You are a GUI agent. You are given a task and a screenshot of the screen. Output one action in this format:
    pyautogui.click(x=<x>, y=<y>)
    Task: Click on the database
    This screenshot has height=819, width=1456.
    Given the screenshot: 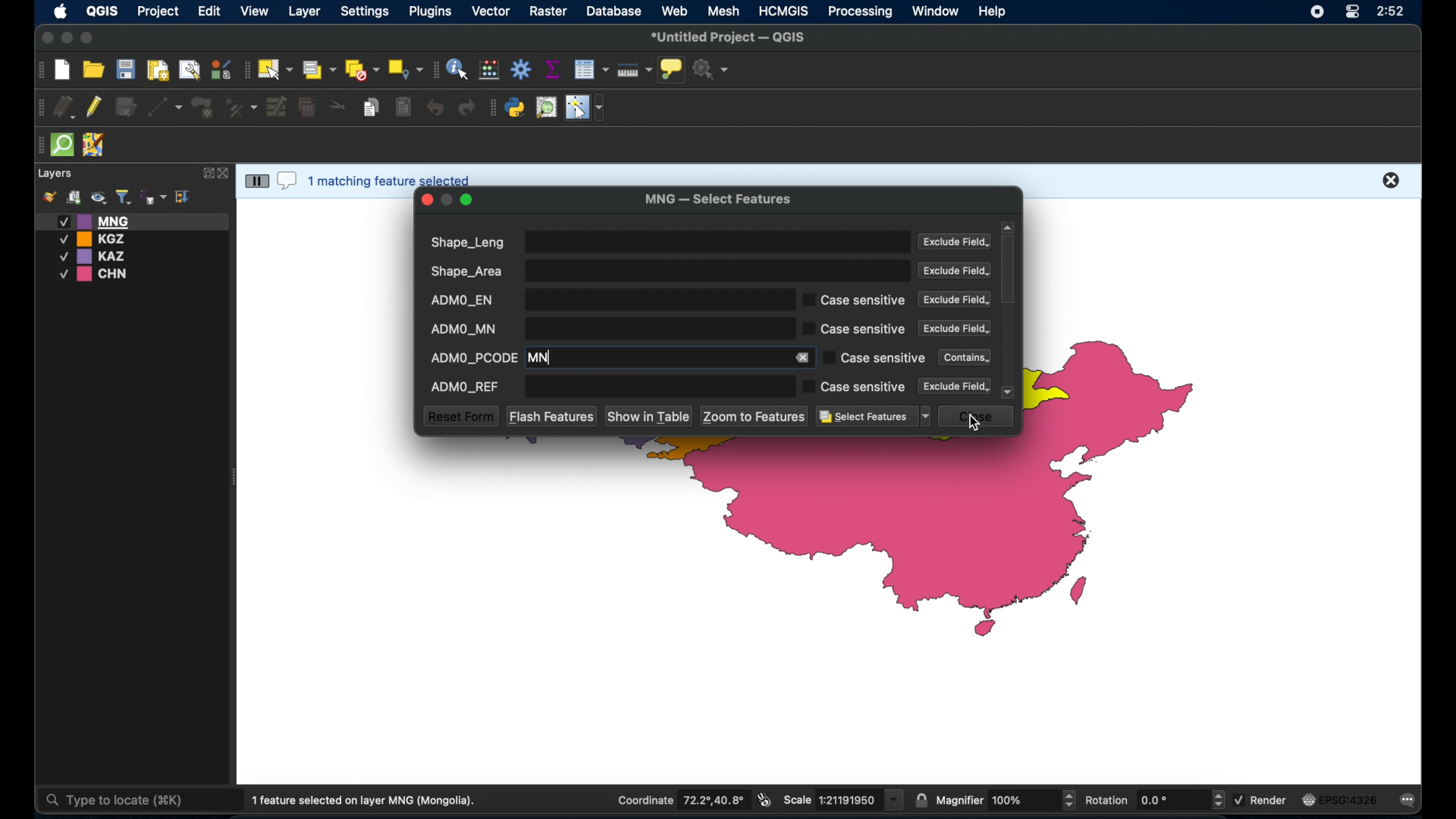 What is the action you would take?
    pyautogui.click(x=613, y=11)
    